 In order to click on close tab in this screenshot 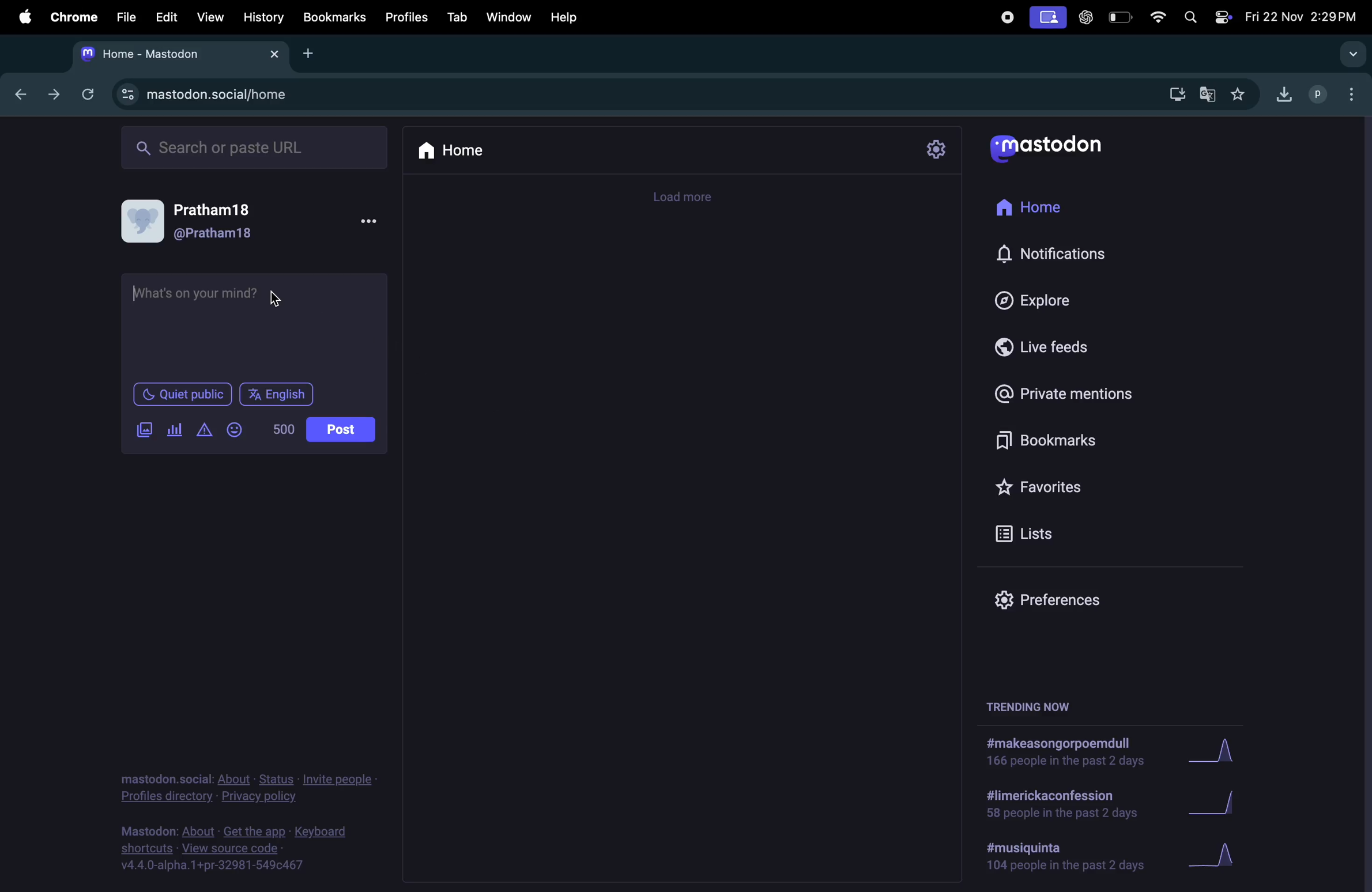, I will do `click(277, 54)`.